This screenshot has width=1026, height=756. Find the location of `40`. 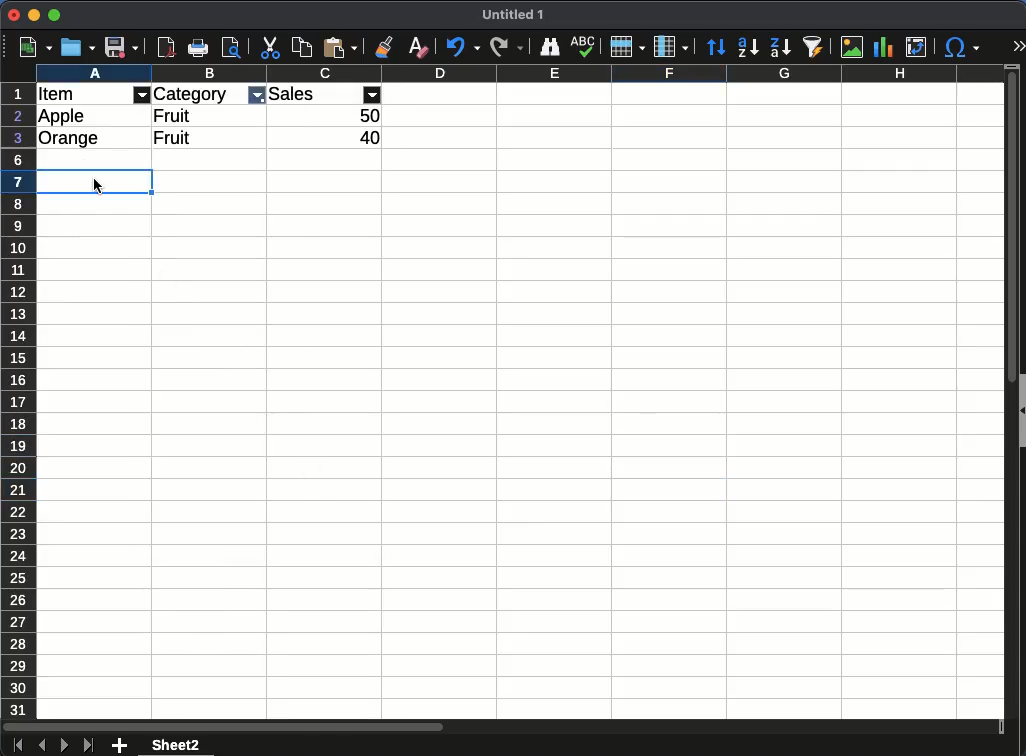

40 is located at coordinates (370, 138).